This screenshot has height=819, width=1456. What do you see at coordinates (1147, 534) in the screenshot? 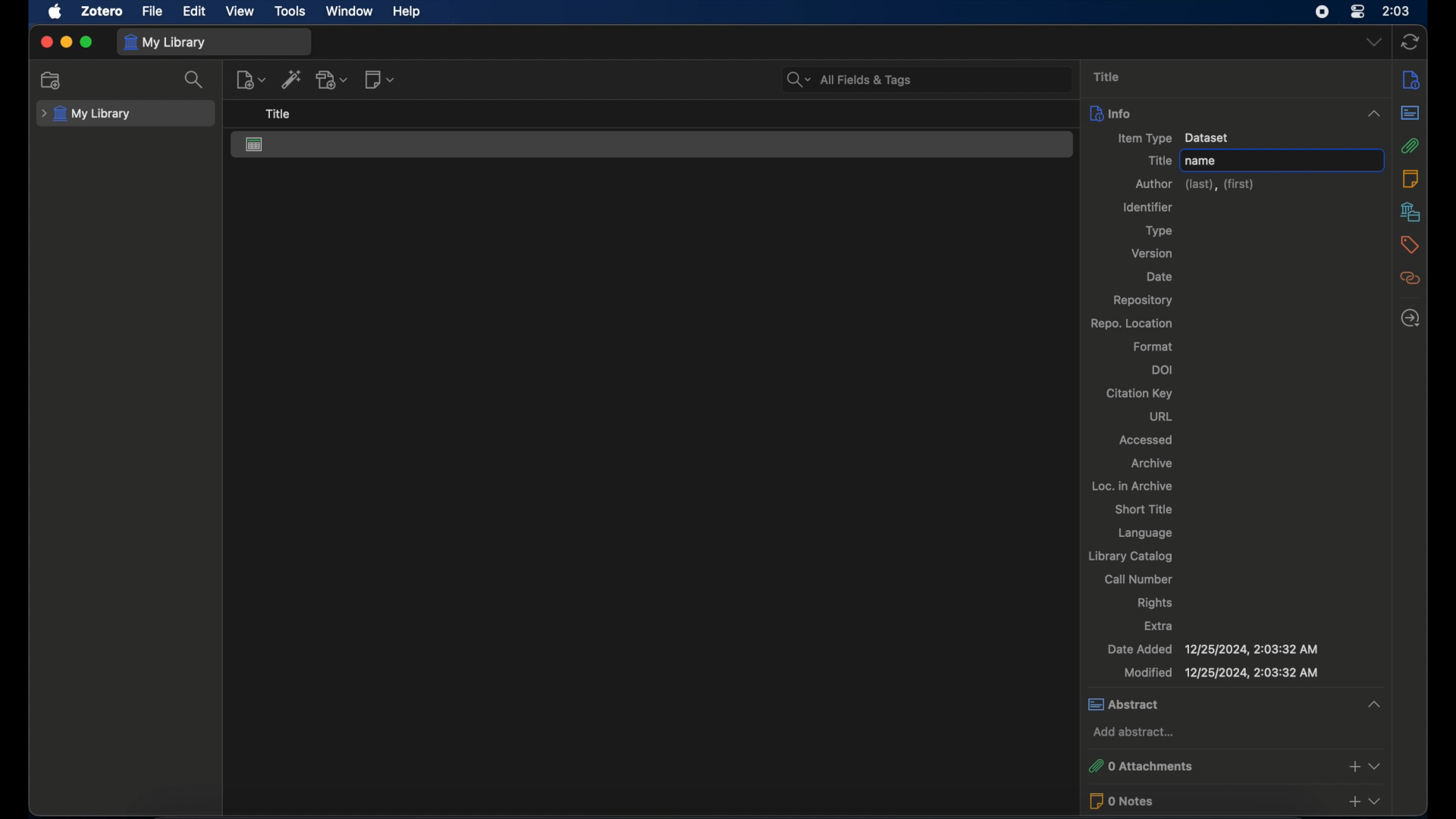
I see `language` at bounding box center [1147, 534].